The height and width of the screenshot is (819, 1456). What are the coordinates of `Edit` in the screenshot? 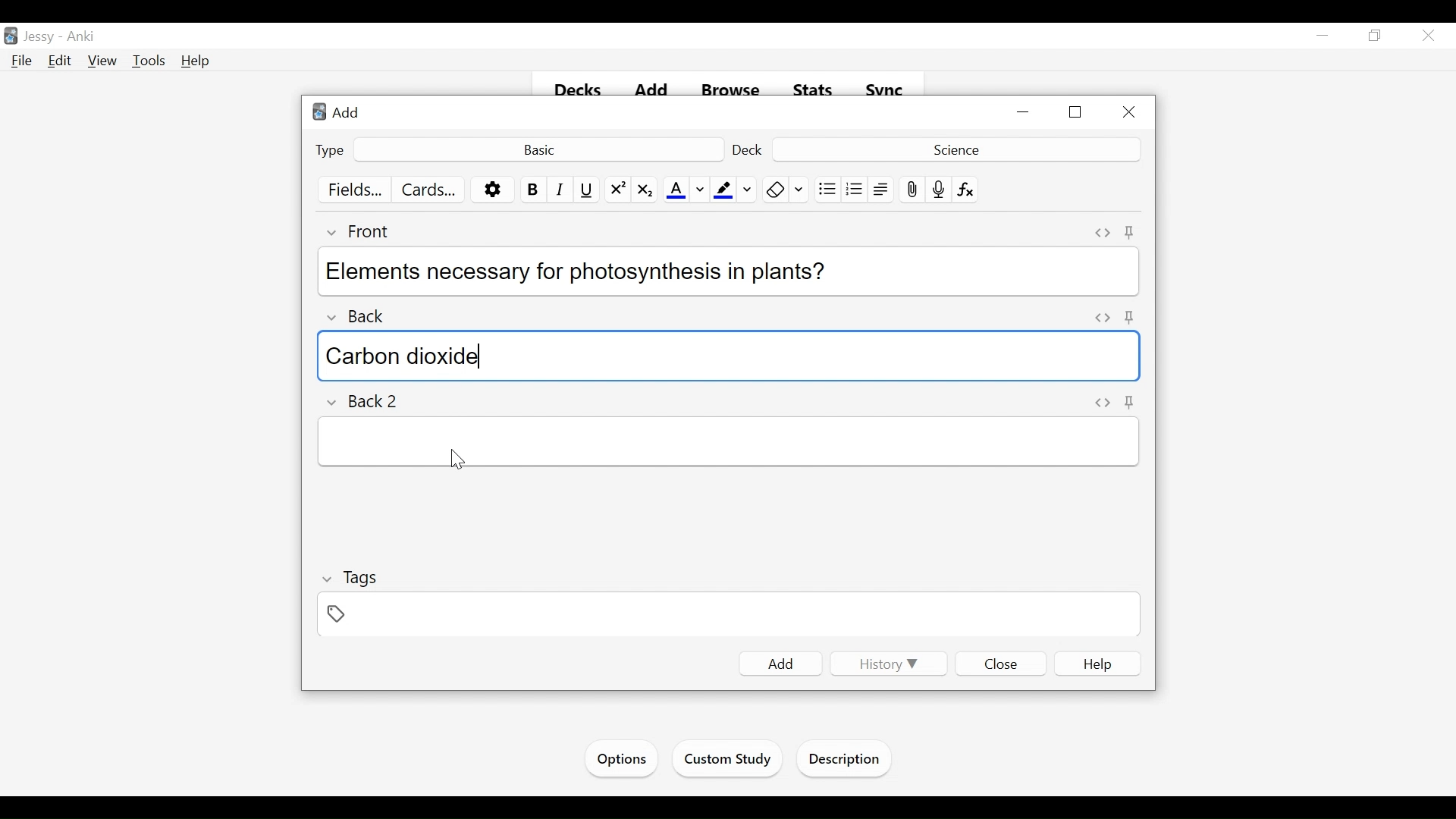 It's located at (60, 60).